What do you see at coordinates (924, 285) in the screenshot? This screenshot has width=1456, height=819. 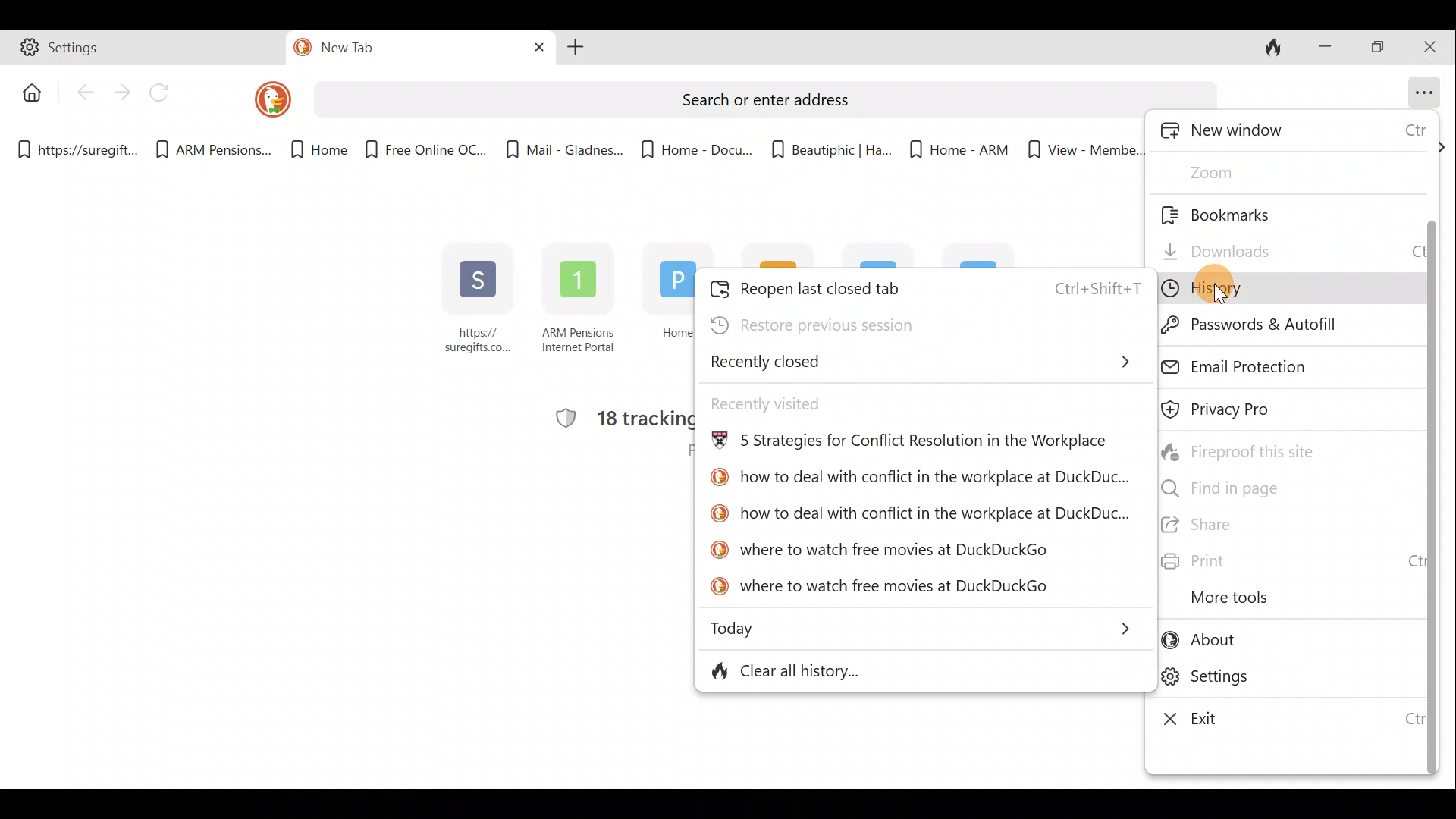 I see `Reopen last closed tab` at bounding box center [924, 285].